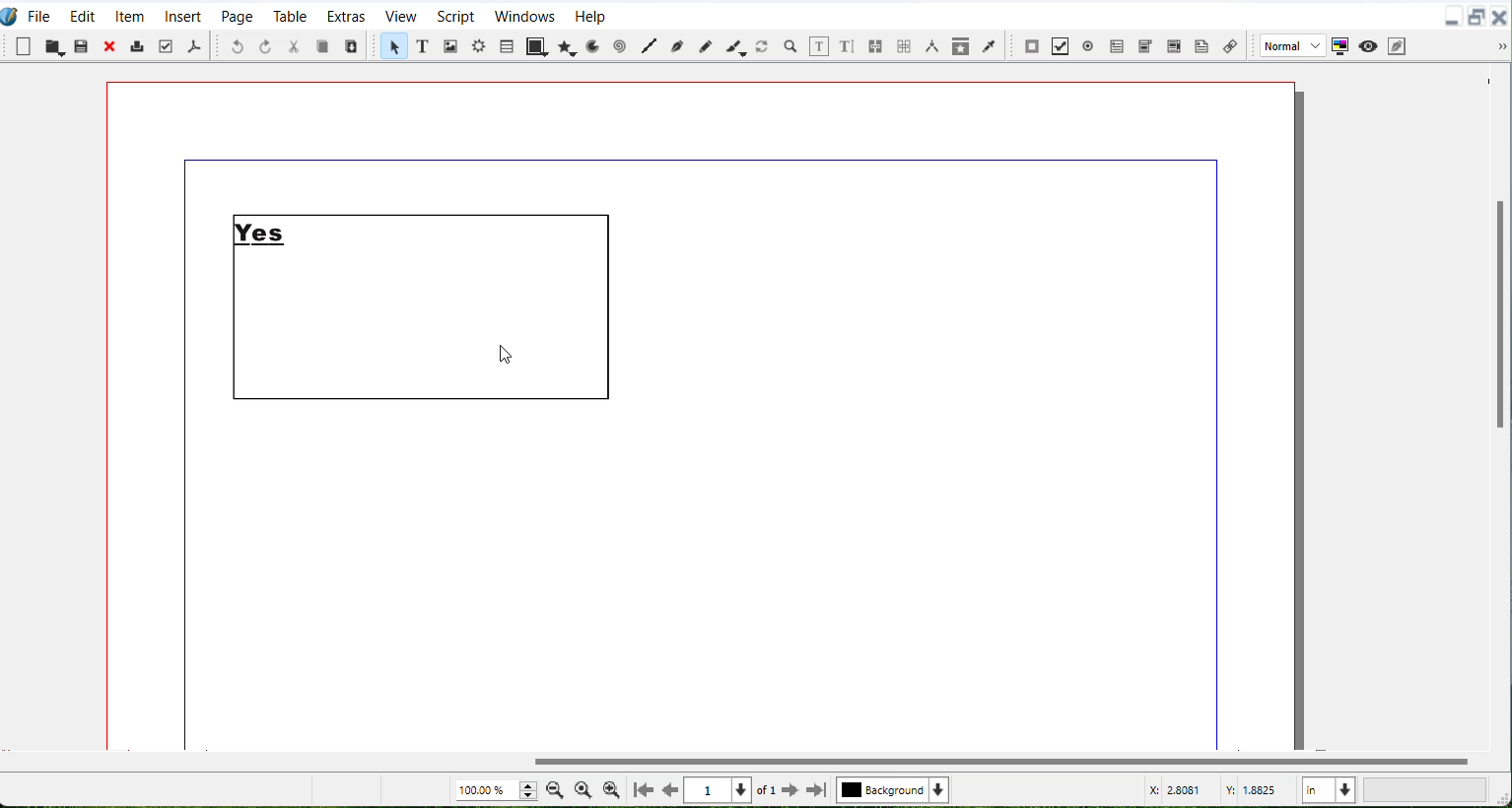  Describe the element at coordinates (1452, 16) in the screenshot. I see `Minimize` at that location.